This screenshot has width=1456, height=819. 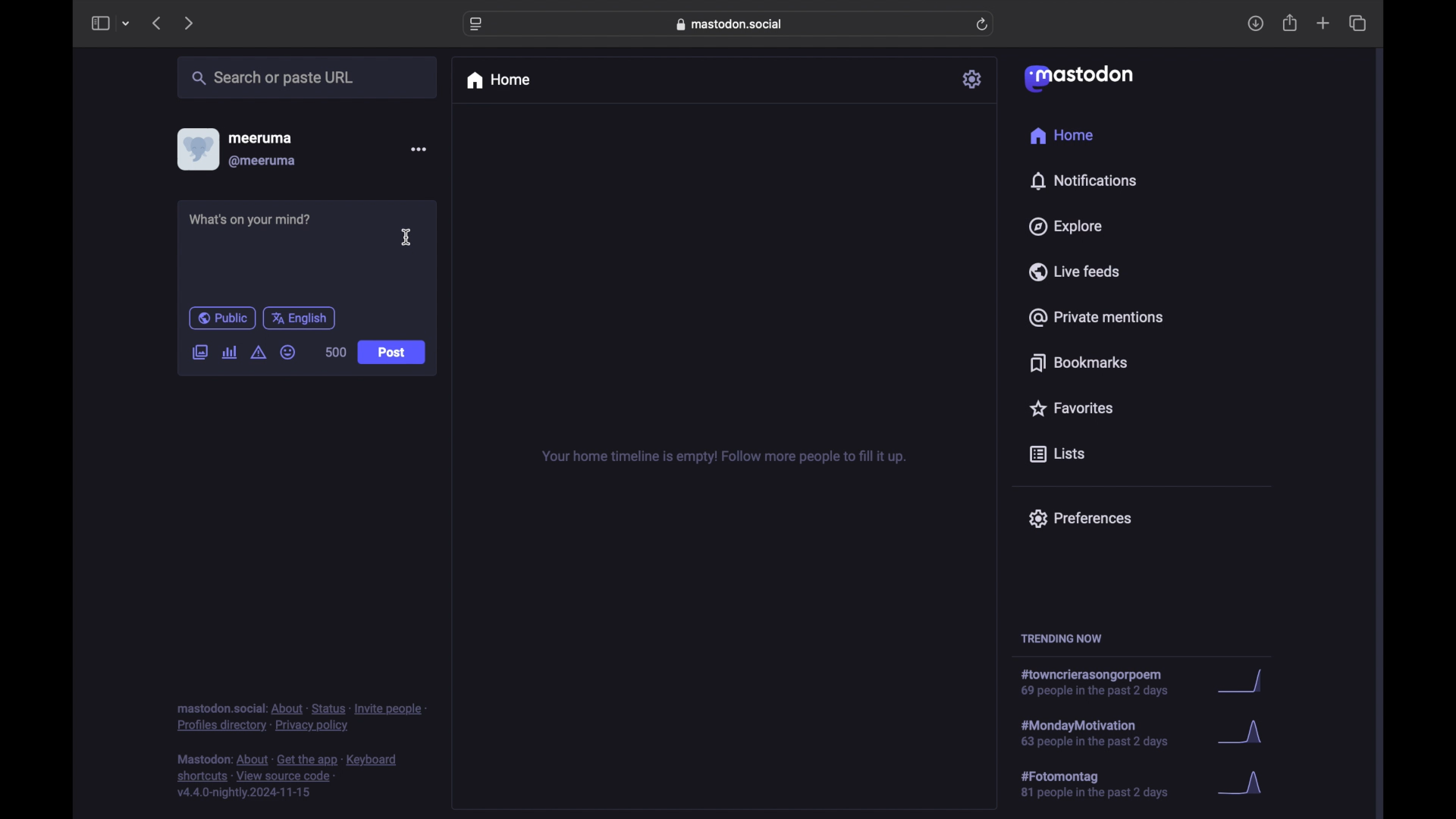 I want to click on settings, so click(x=974, y=79).